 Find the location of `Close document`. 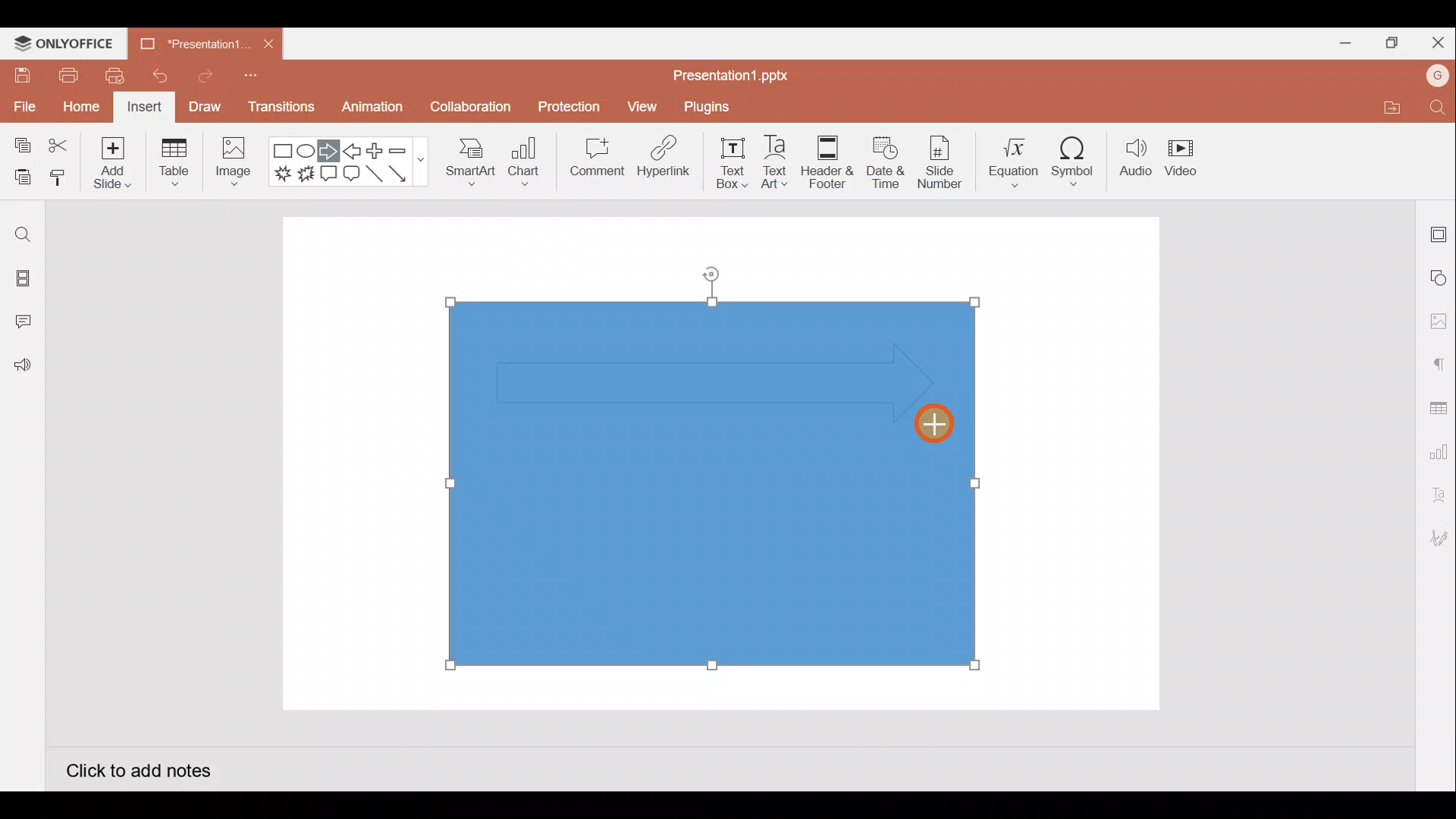

Close document is located at coordinates (268, 40).